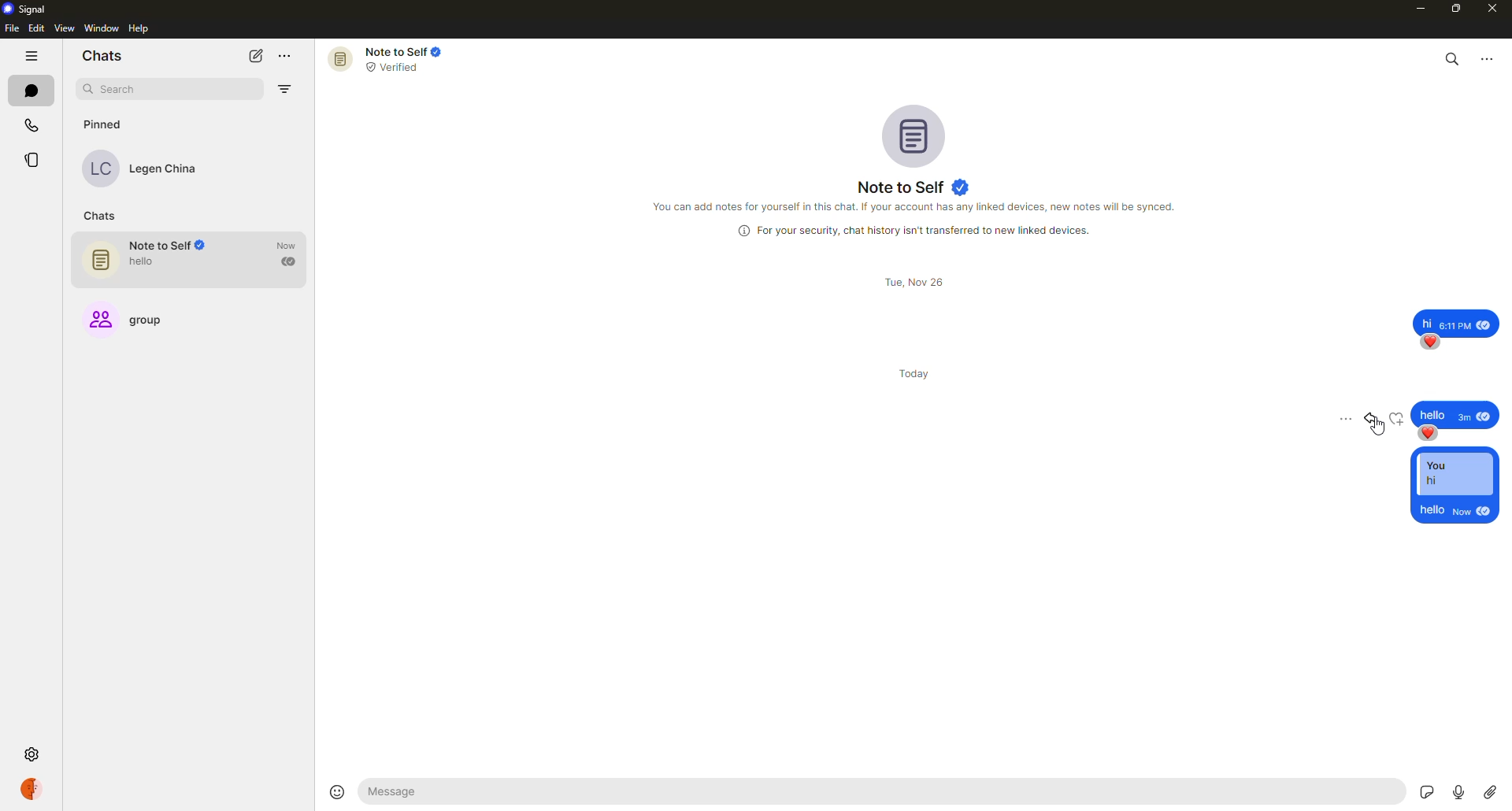  I want to click on pinned, so click(103, 126).